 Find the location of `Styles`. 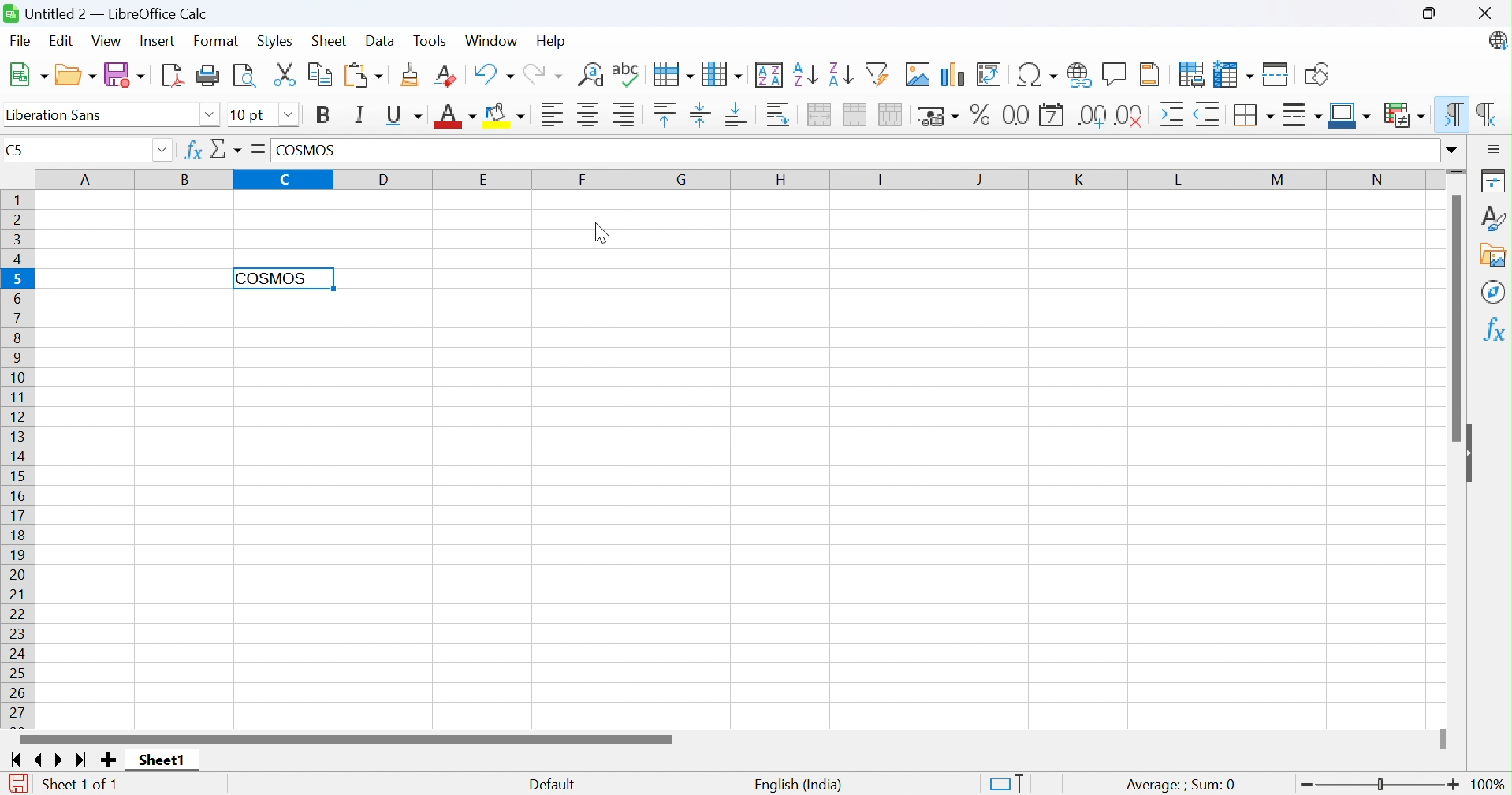

Styles is located at coordinates (1494, 218).